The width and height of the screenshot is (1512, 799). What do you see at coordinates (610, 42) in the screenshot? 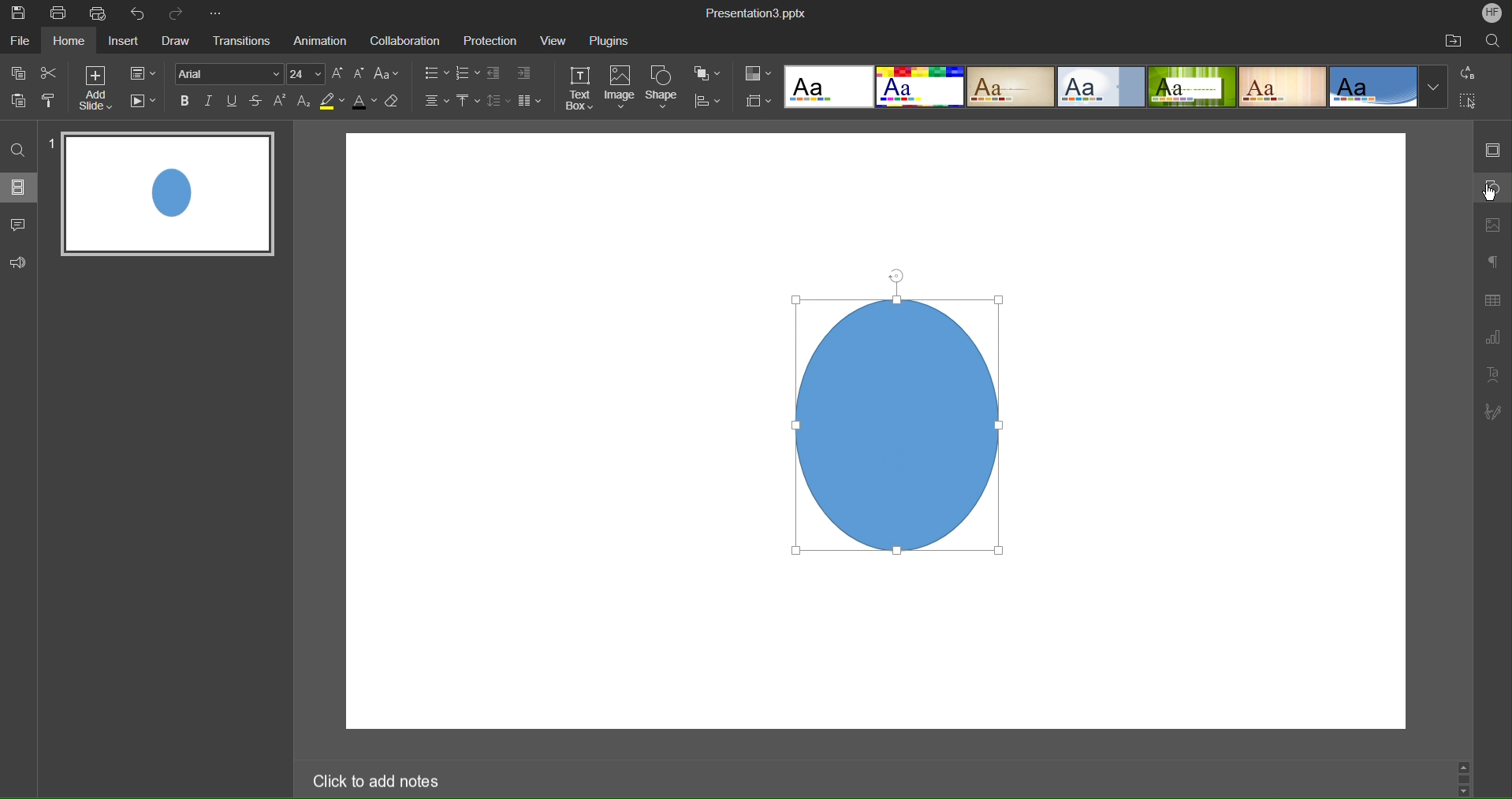
I see `Plugins` at bounding box center [610, 42].